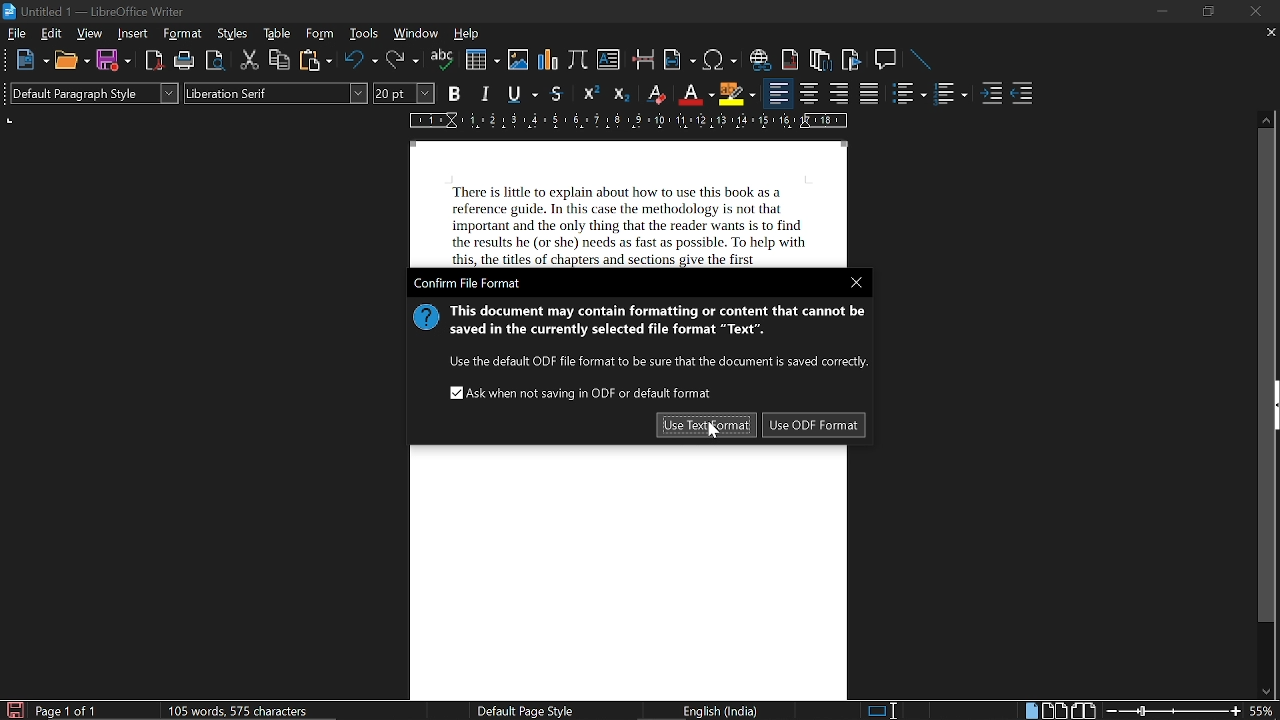  What do you see at coordinates (887, 60) in the screenshot?
I see `insert comment` at bounding box center [887, 60].